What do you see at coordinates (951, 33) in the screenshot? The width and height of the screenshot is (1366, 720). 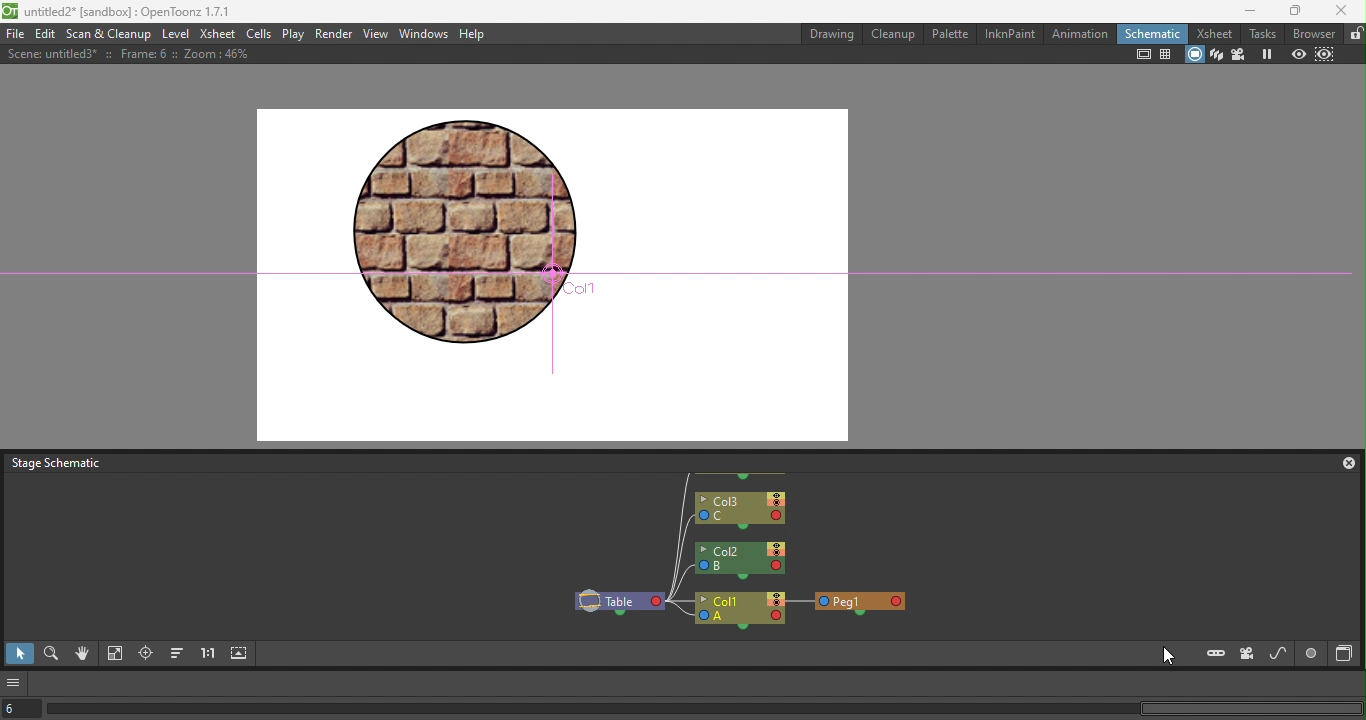 I see `Palette` at bounding box center [951, 33].